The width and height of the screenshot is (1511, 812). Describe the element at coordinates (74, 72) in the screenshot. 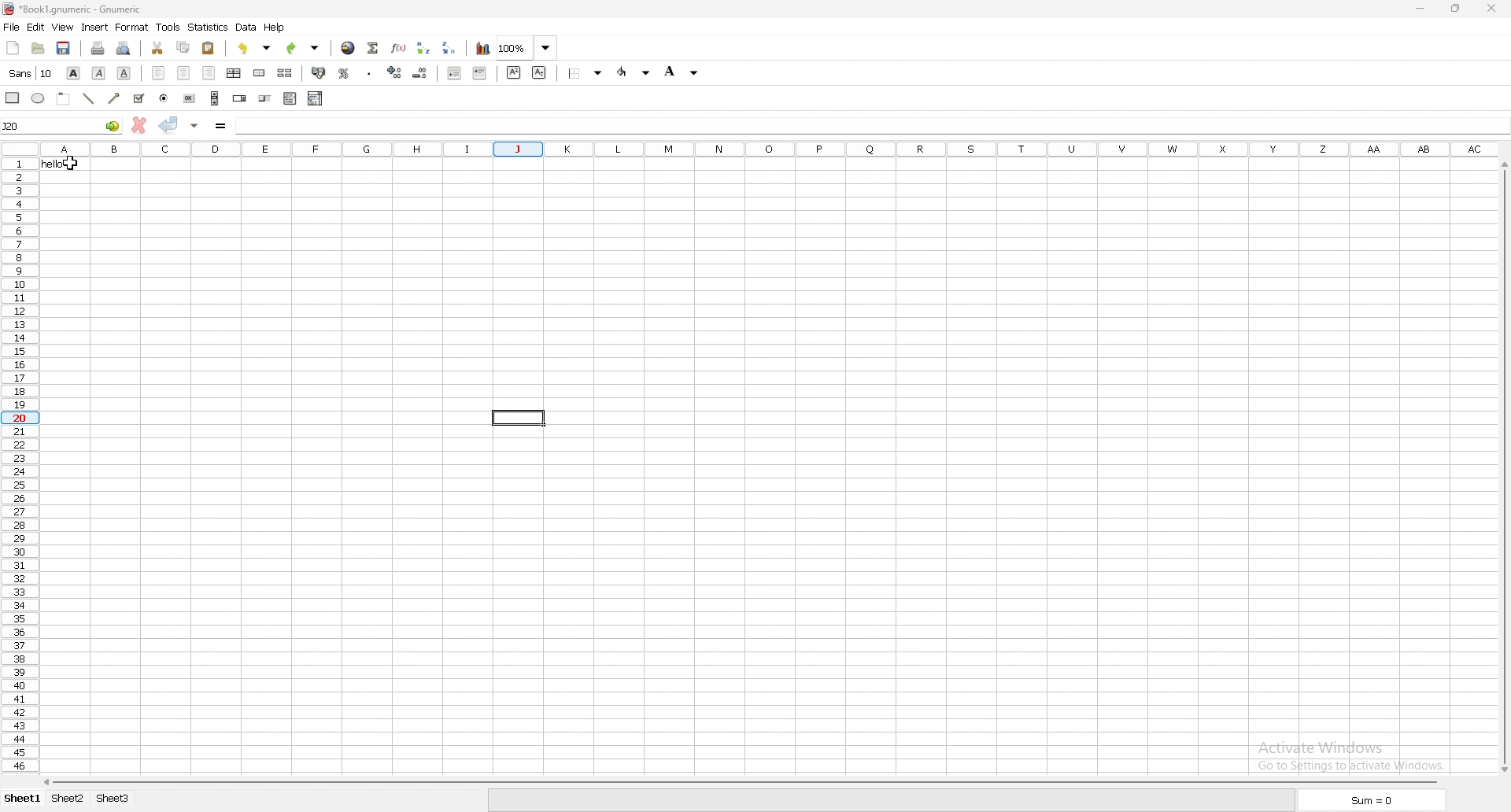

I see `bold` at that location.